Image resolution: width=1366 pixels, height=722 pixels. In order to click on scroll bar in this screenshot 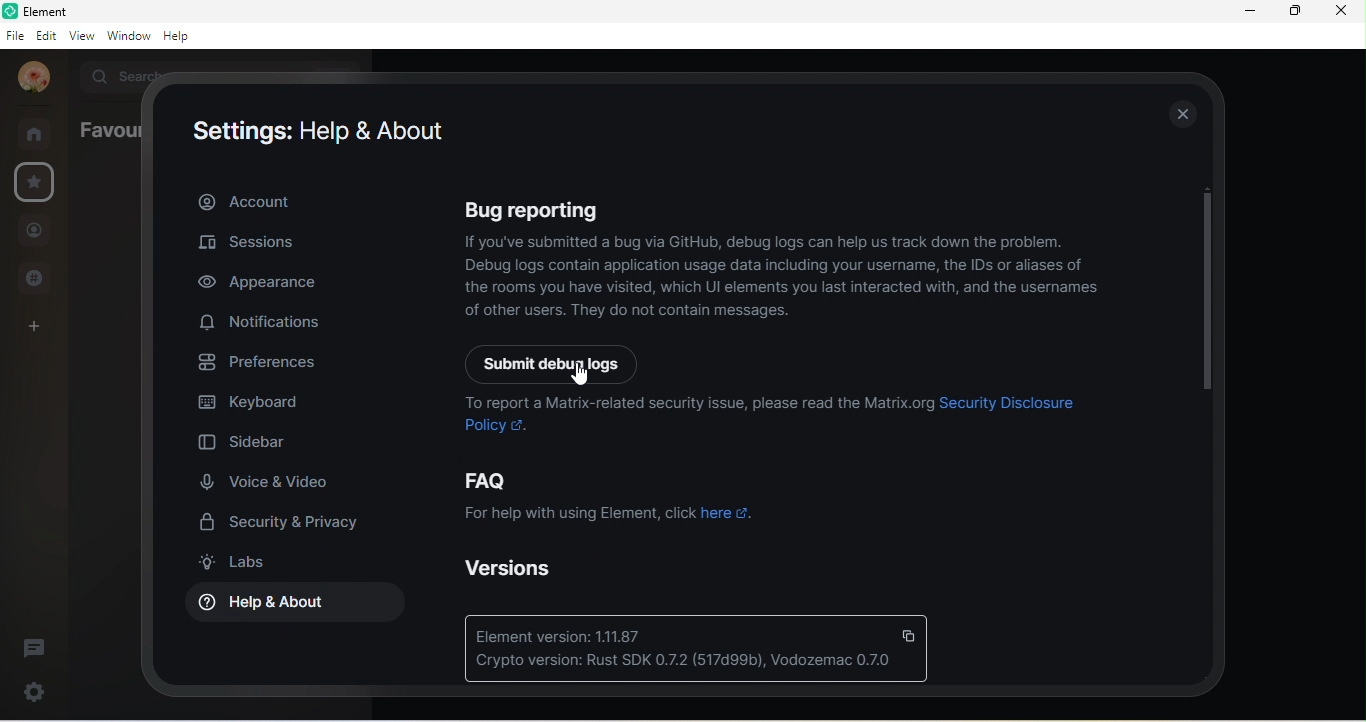, I will do `click(1200, 298)`.